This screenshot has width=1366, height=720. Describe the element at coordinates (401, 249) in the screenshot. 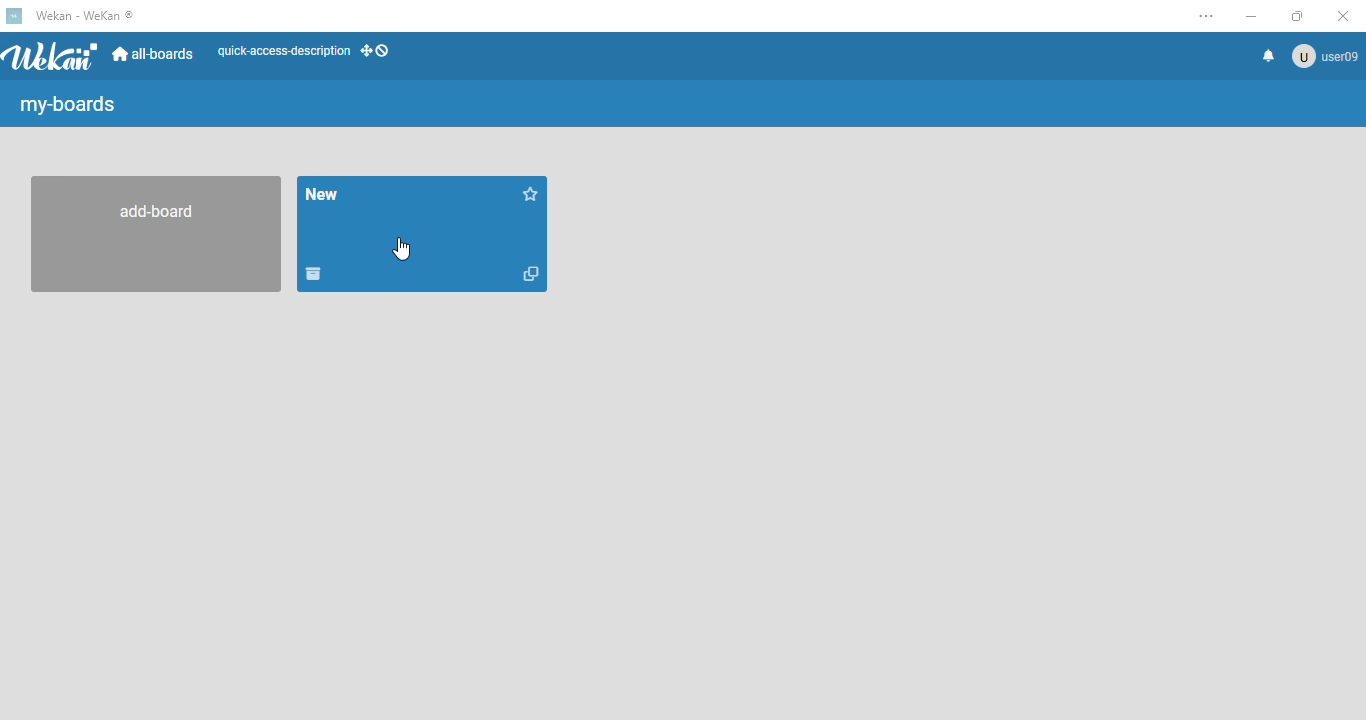

I see `cursor` at that location.